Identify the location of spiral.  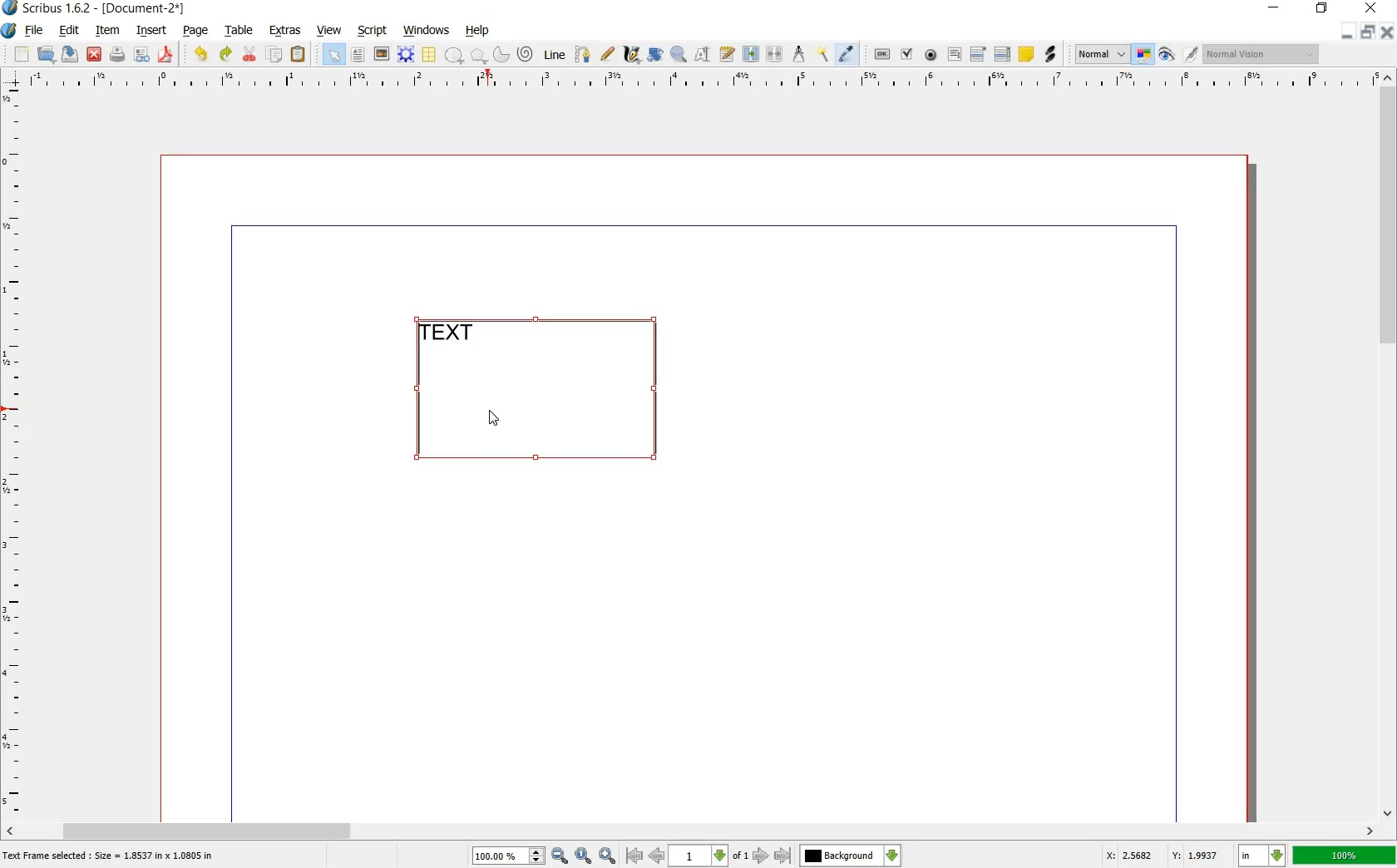
(526, 53).